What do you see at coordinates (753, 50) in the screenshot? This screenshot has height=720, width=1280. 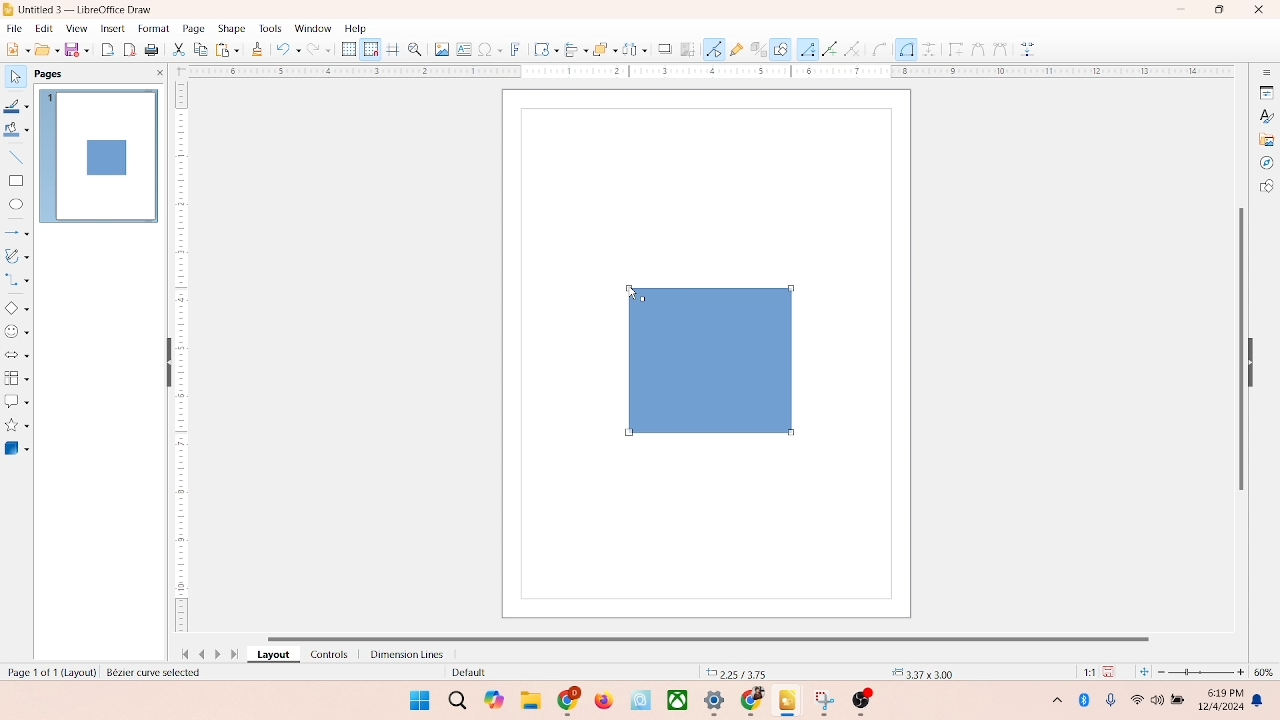 I see `toggle extrusion` at bounding box center [753, 50].